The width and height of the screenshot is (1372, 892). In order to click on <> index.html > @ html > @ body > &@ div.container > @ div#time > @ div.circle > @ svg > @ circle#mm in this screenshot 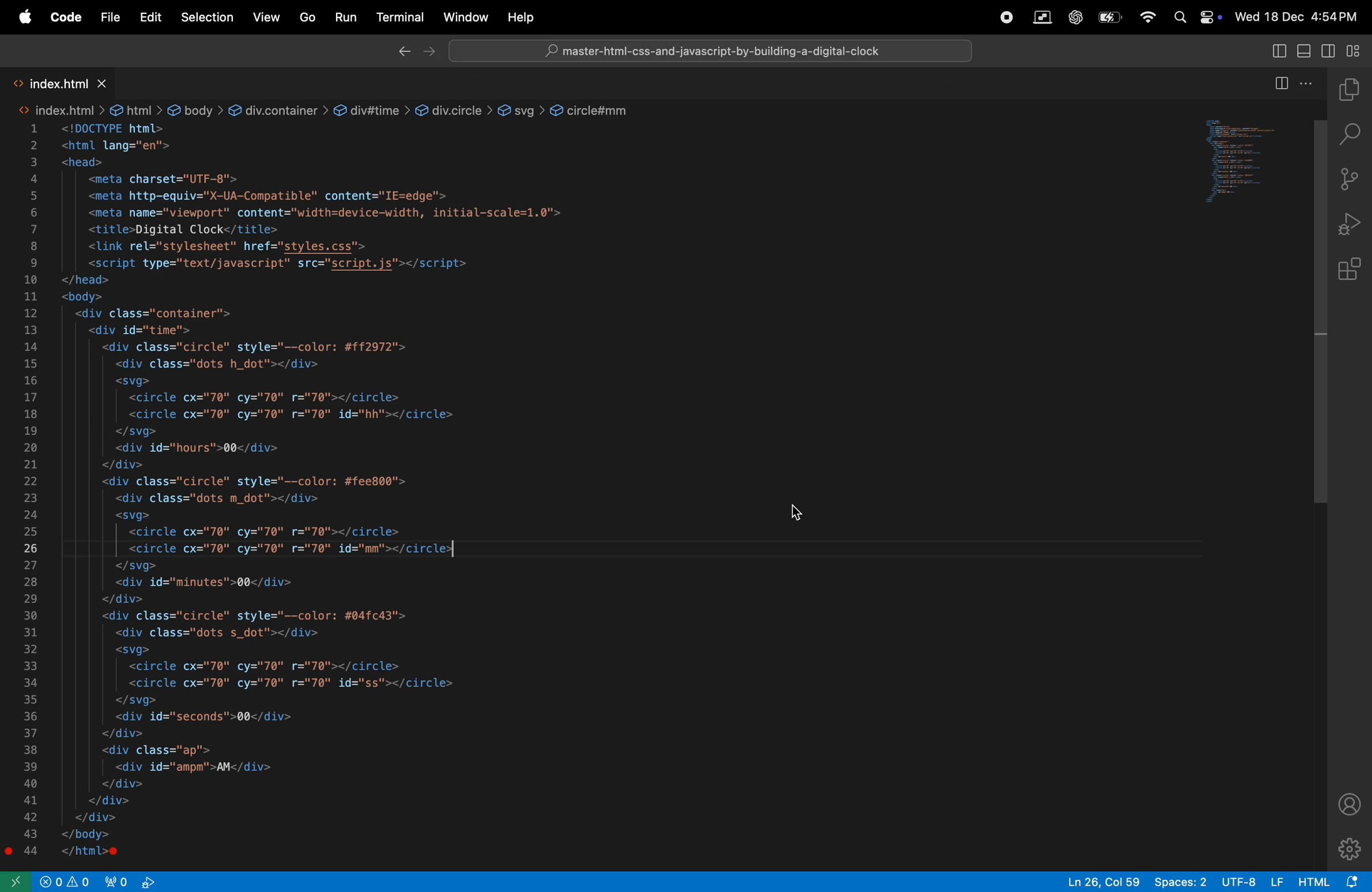, I will do `click(327, 109)`.